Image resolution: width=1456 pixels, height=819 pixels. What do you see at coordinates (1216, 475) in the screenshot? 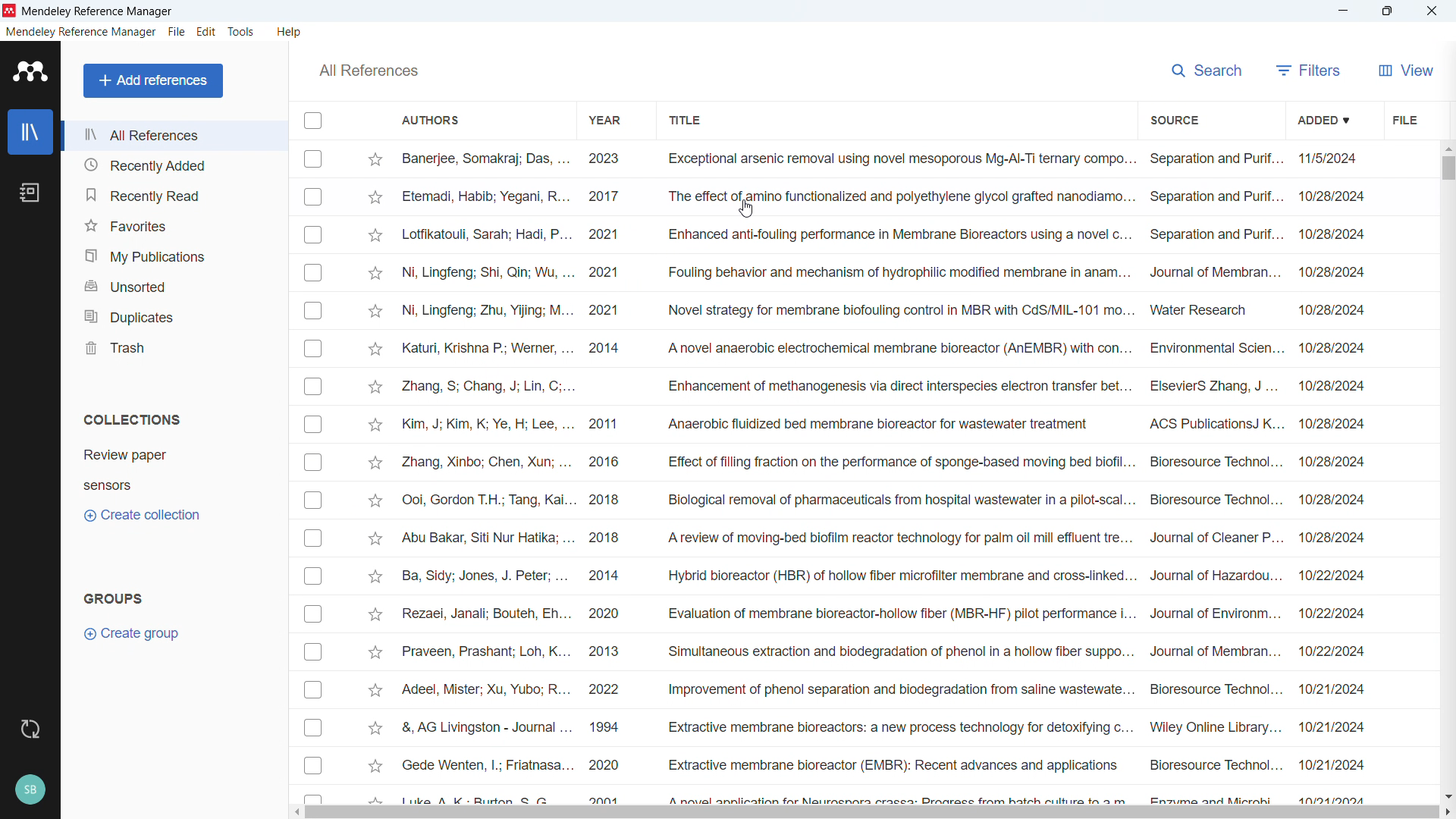
I see `Source of individual entries ` at bounding box center [1216, 475].